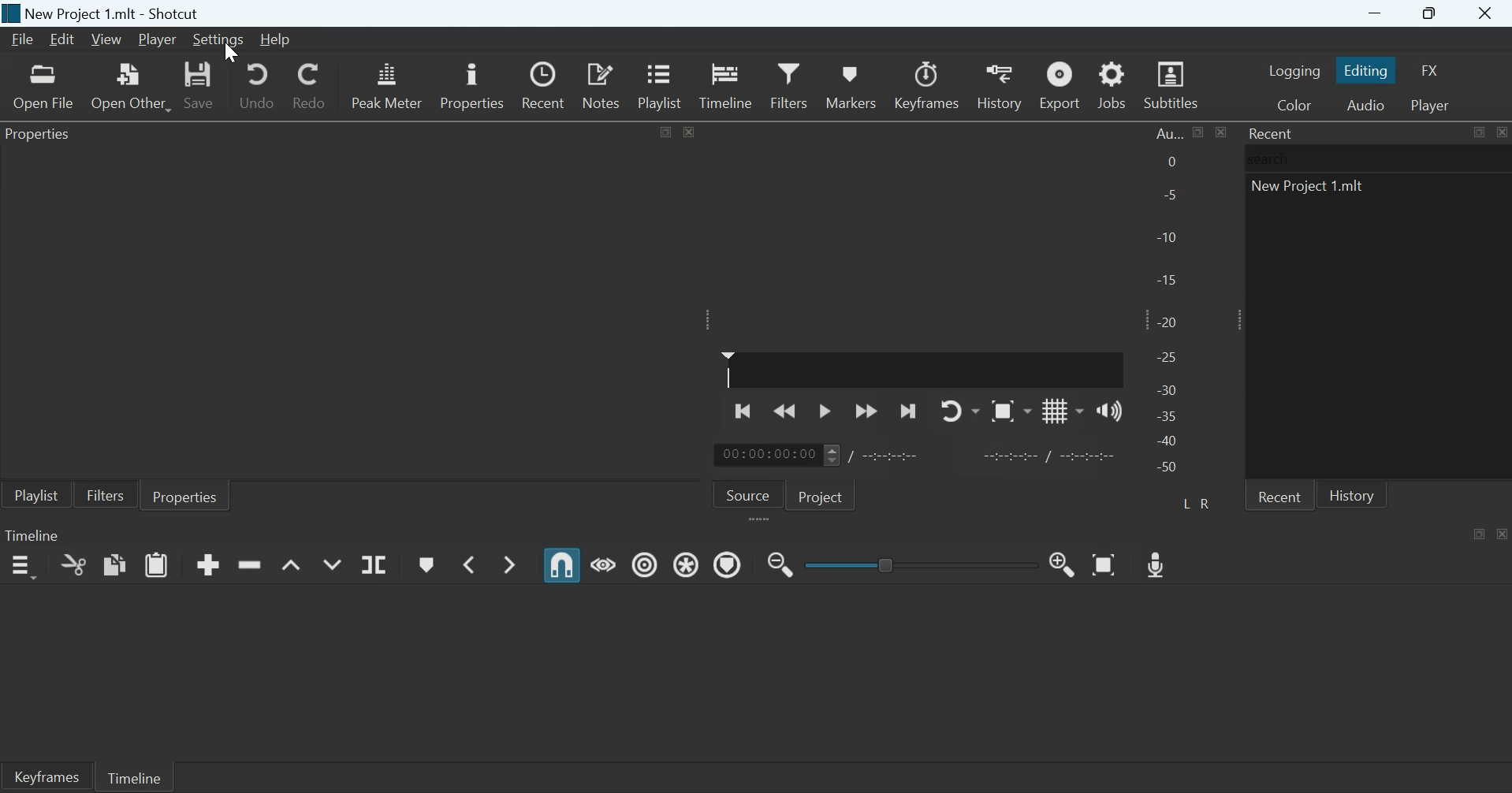 The height and width of the screenshot is (793, 1512). Describe the element at coordinates (1294, 70) in the screenshot. I see `Switch to the Logging layout` at that location.